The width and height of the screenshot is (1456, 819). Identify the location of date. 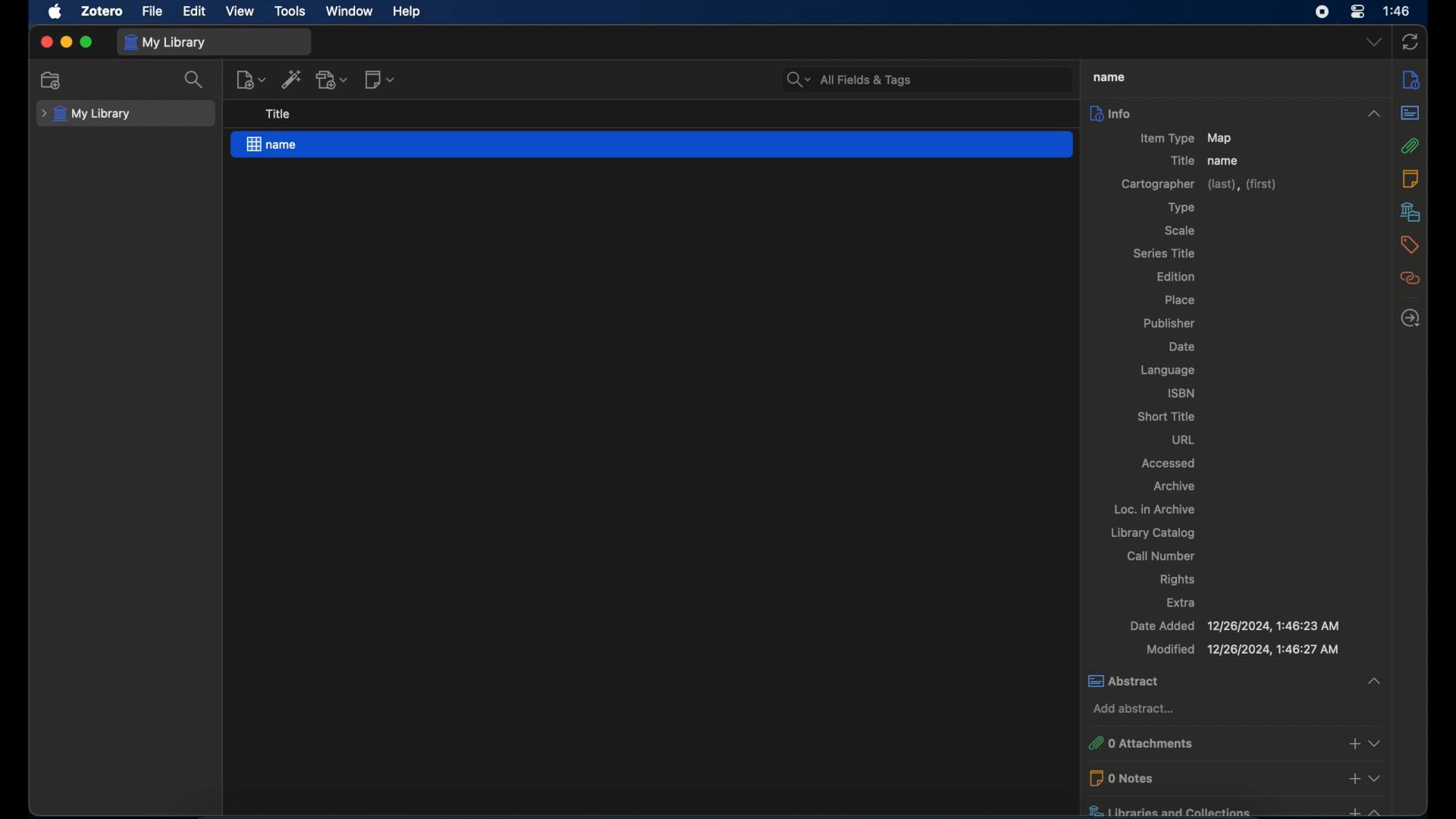
(1181, 347).